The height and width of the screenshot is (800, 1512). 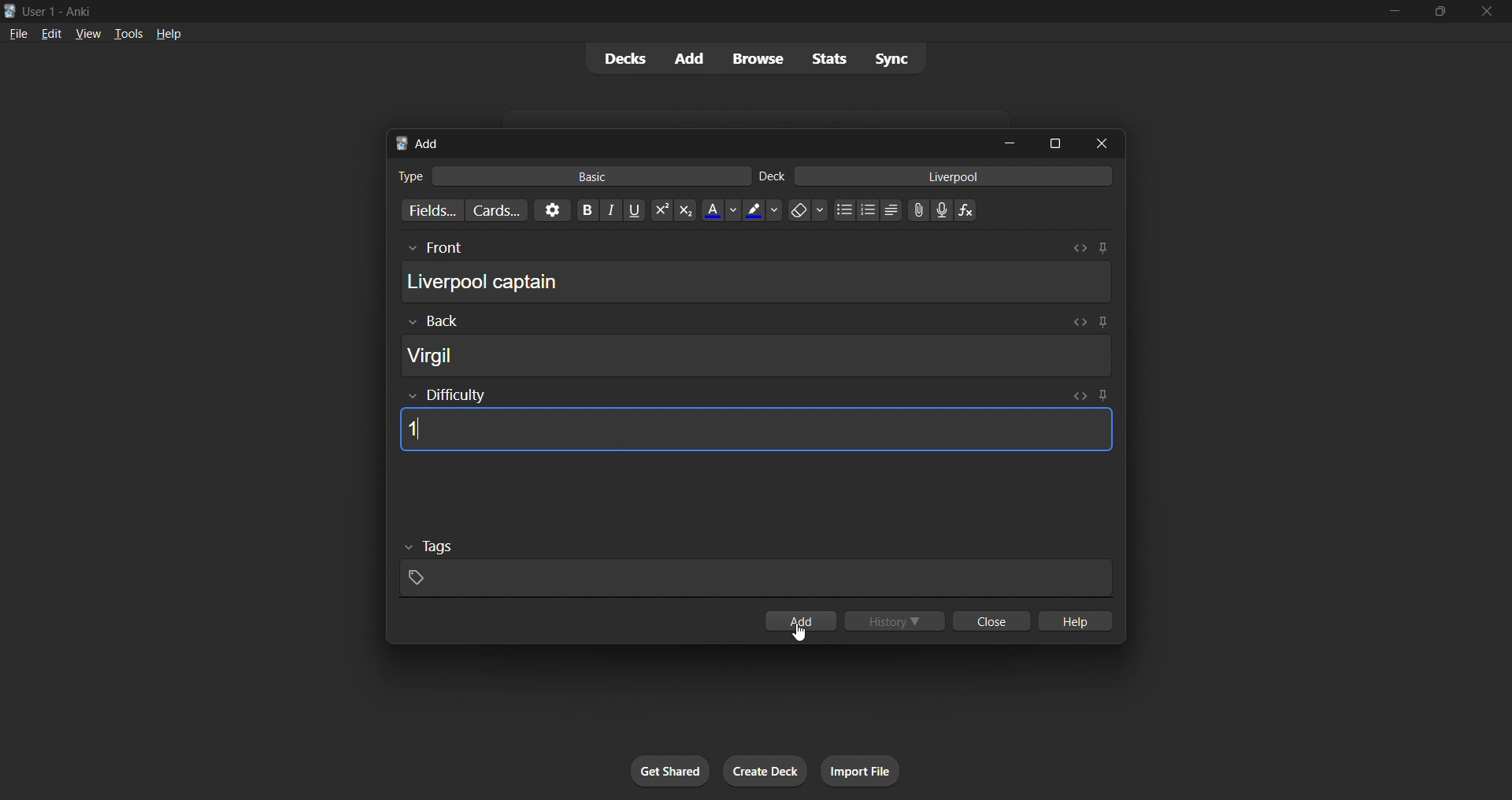 What do you see at coordinates (1073, 620) in the screenshot?
I see `help` at bounding box center [1073, 620].